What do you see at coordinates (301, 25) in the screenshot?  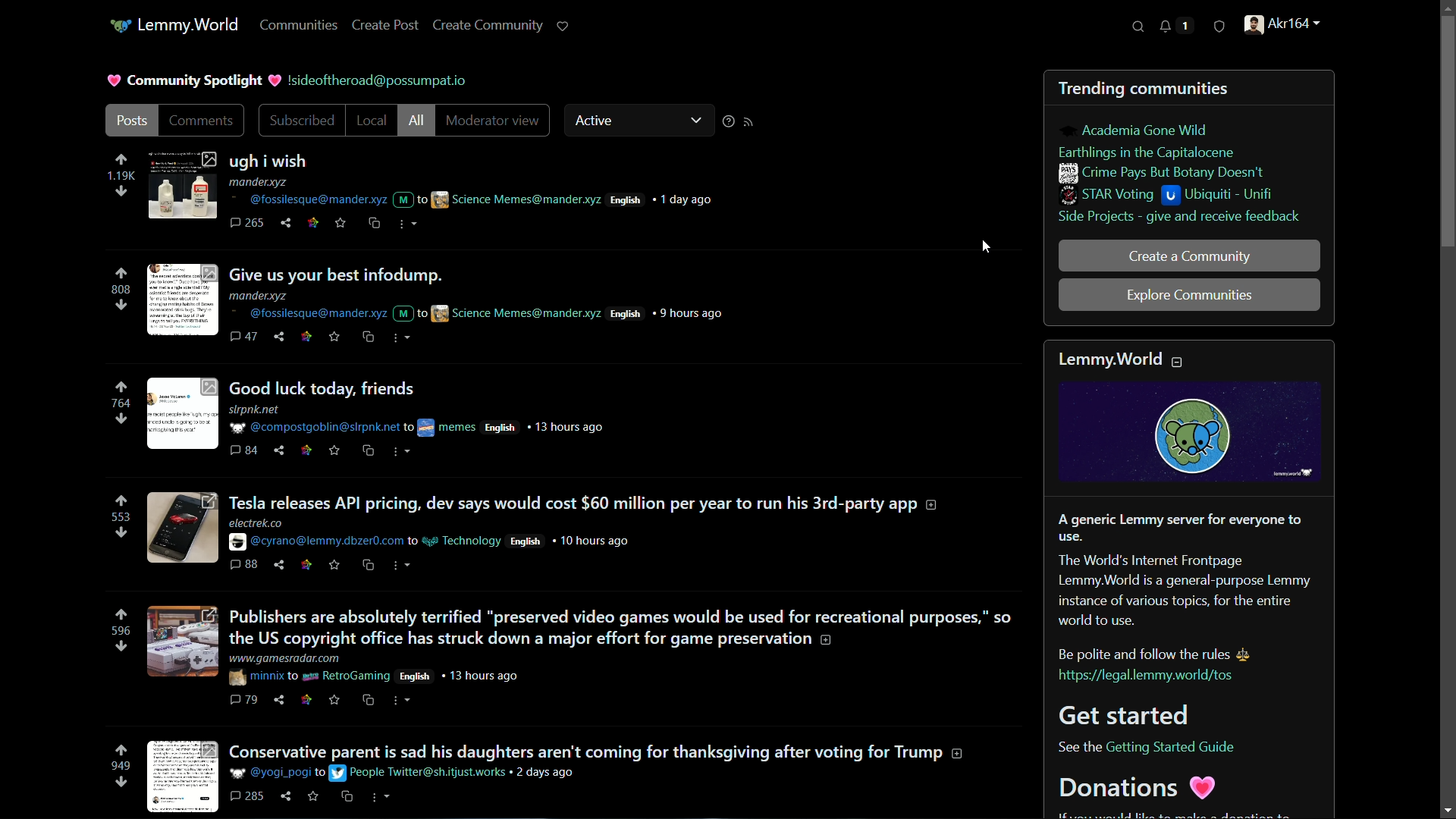 I see `communities` at bounding box center [301, 25].